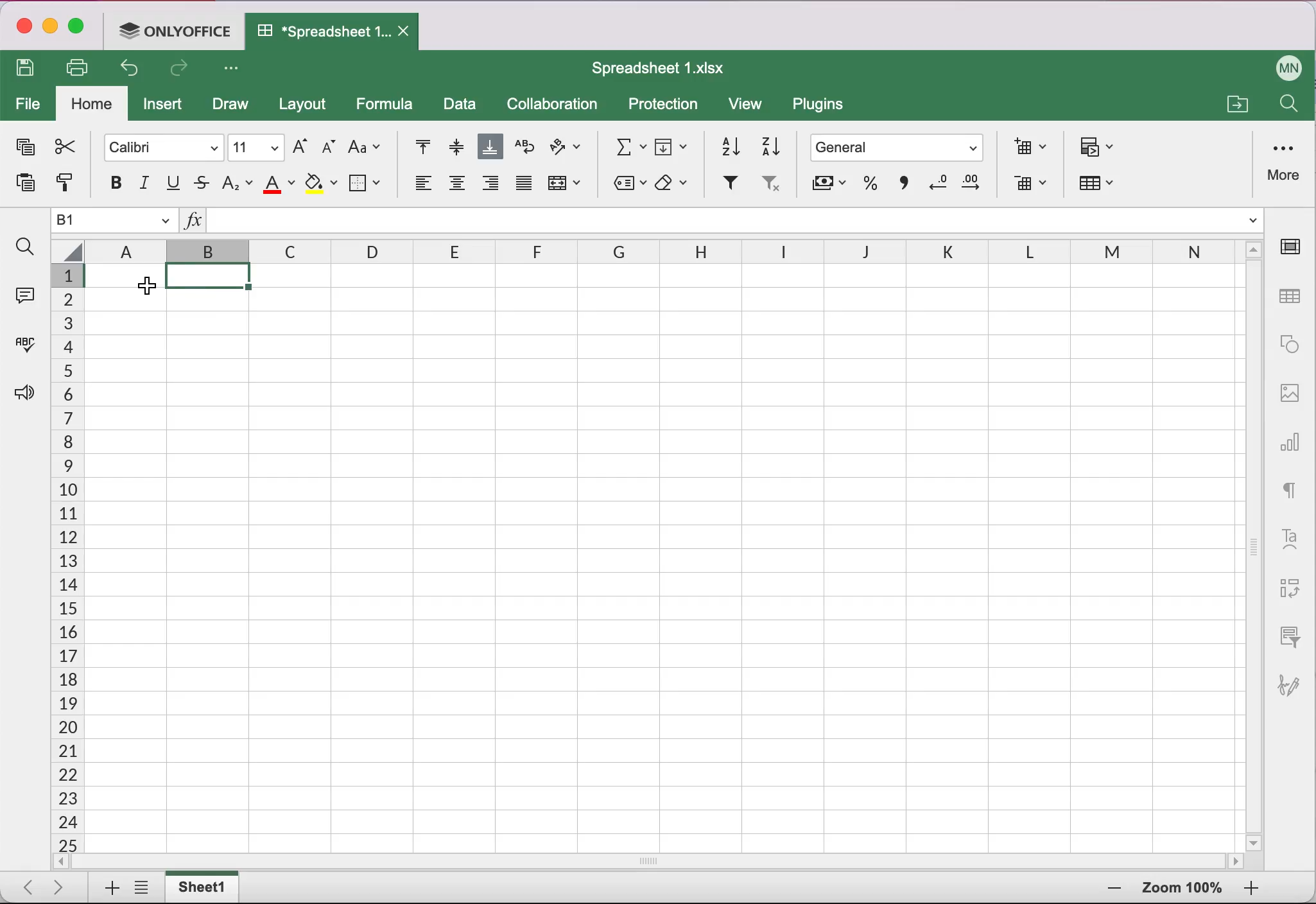  I want to click on slicer, so click(1287, 636).